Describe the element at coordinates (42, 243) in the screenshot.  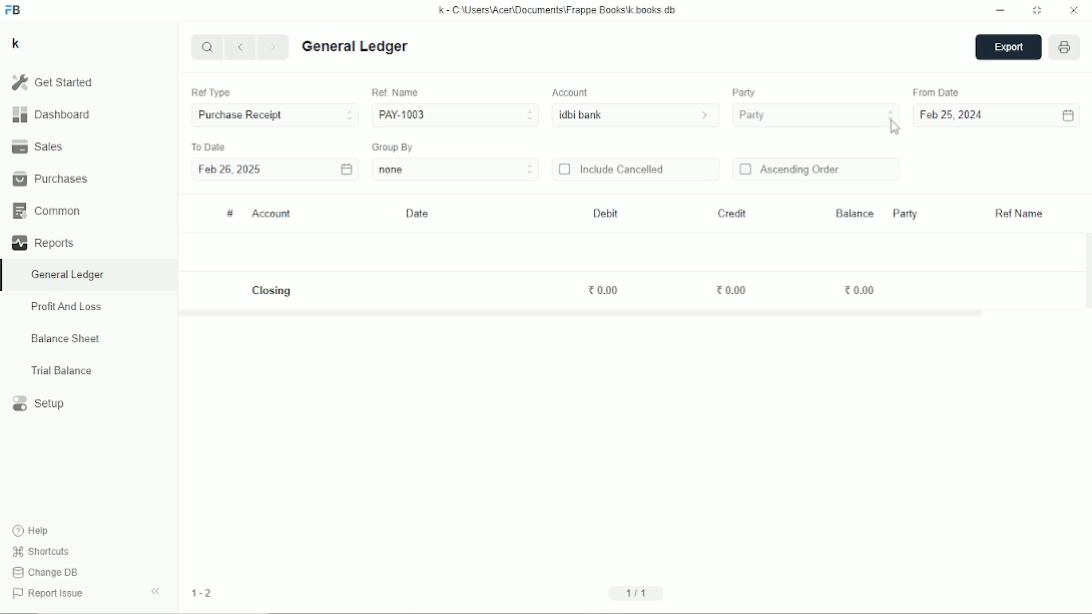
I see `Reports` at that location.